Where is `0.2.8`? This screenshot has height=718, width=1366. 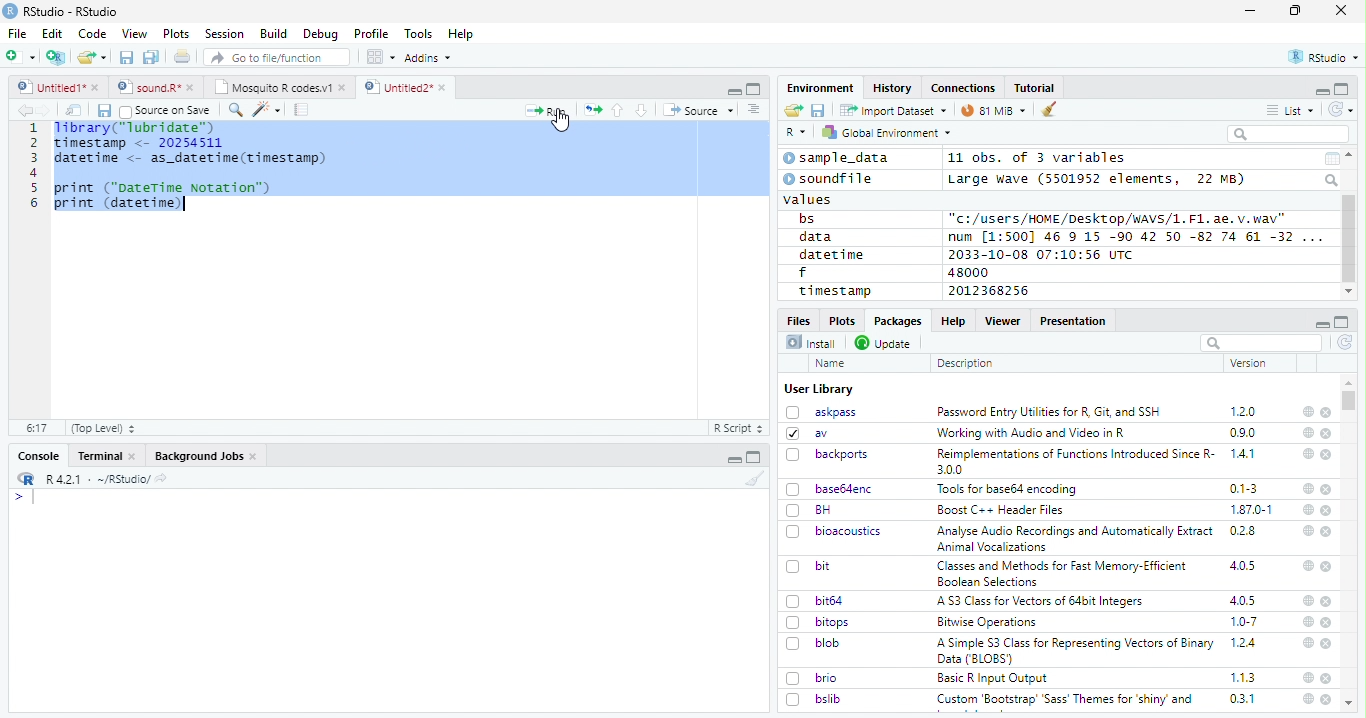 0.2.8 is located at coordinates (1244, 530).